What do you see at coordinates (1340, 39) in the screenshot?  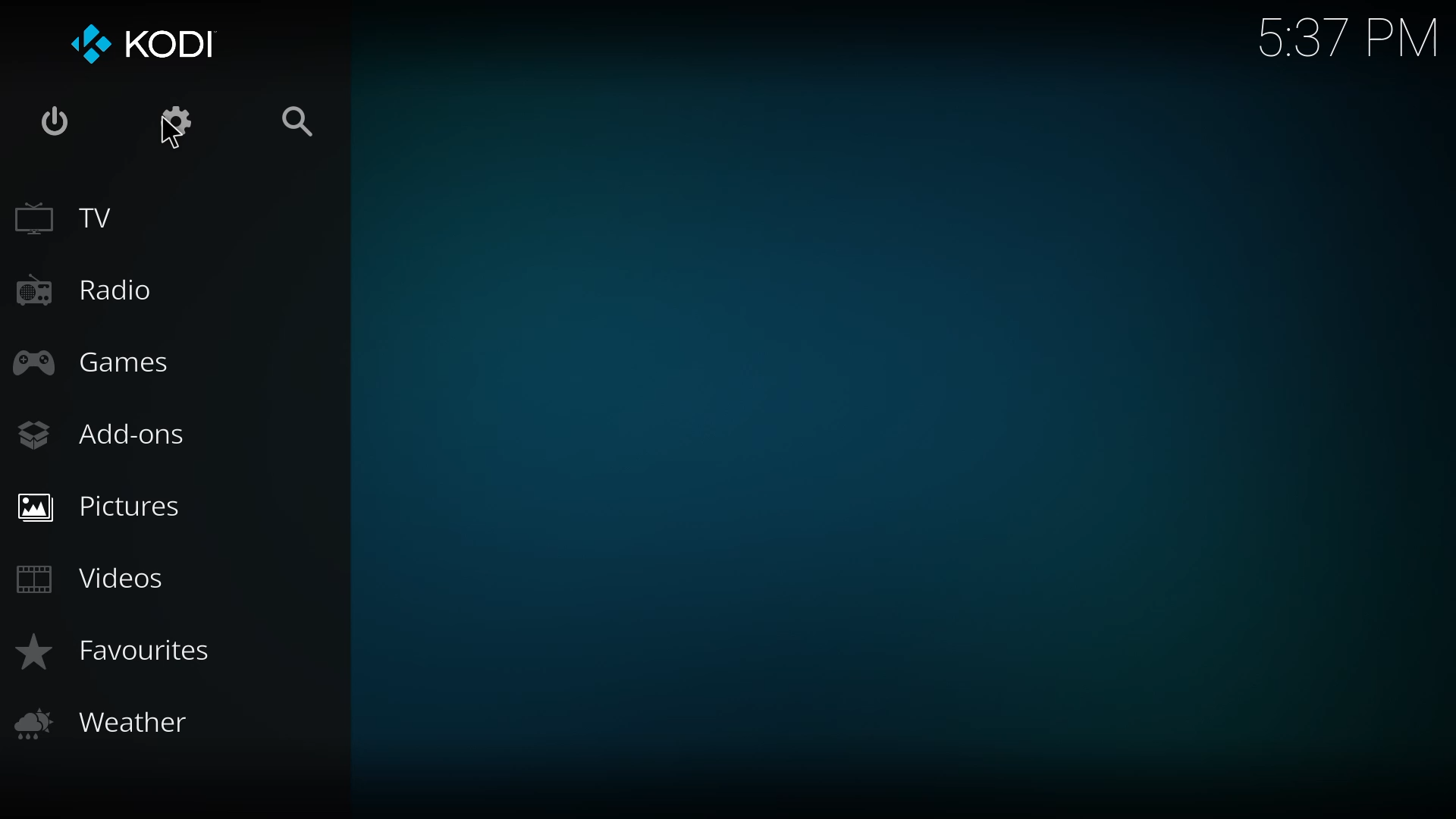 I see `5:37 PM` at bounding box center [1340, 39].